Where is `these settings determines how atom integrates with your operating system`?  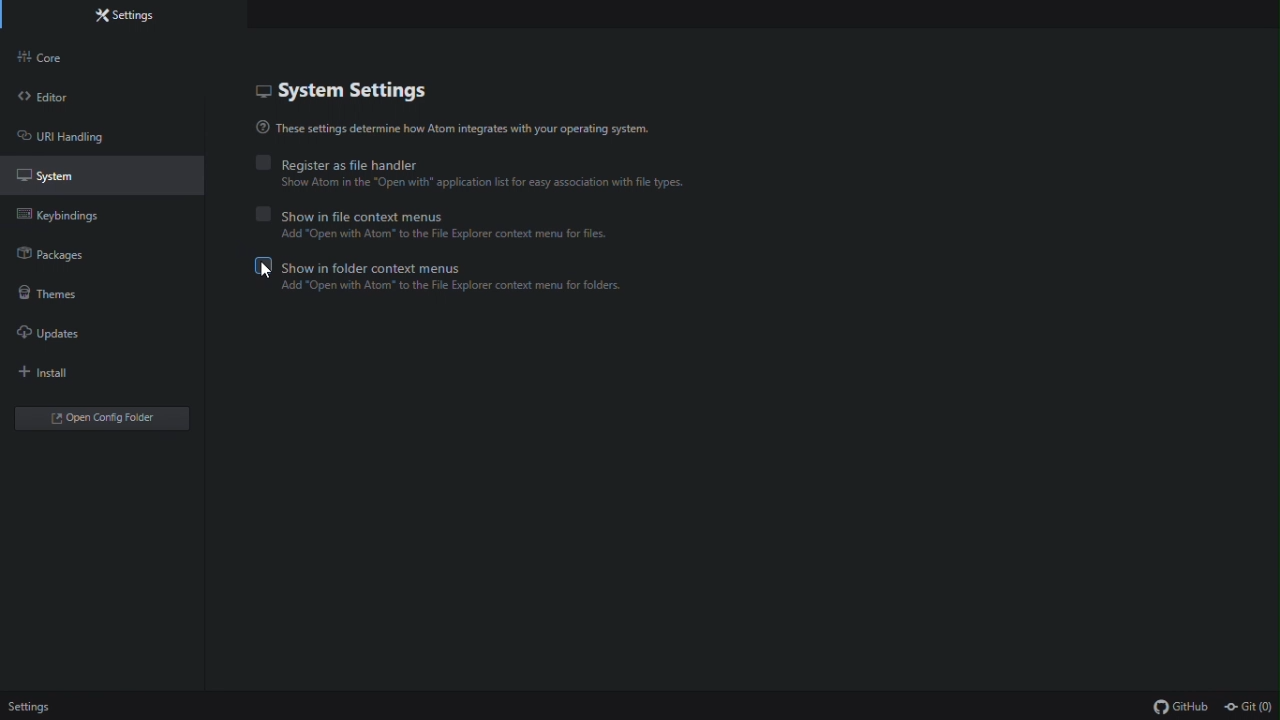
these settings determines how atom integrates with your operating system is located at coordinates (460, 132).